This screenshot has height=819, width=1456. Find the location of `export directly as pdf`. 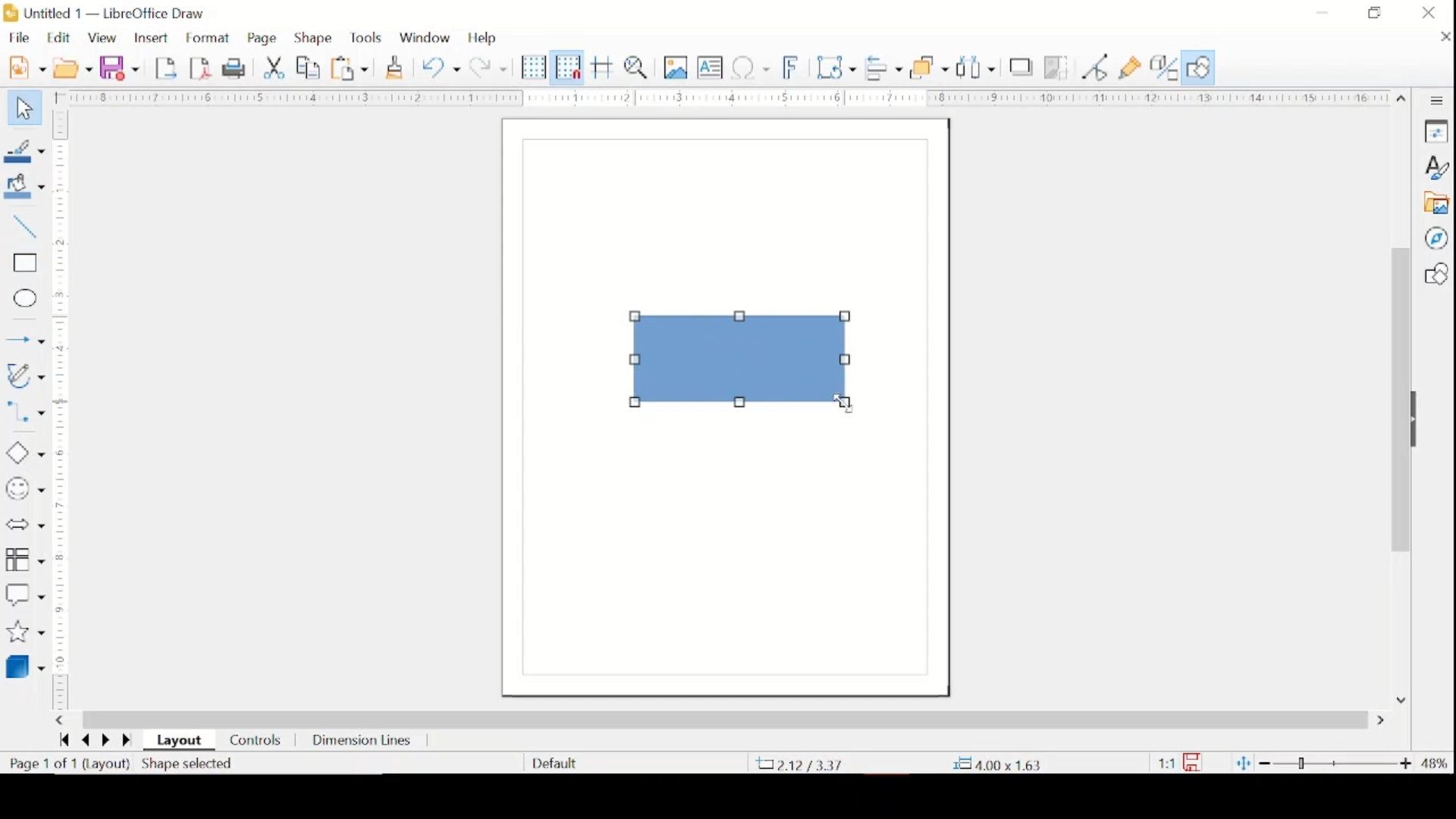

export directly as pdf is located at coordinates (201, 67).